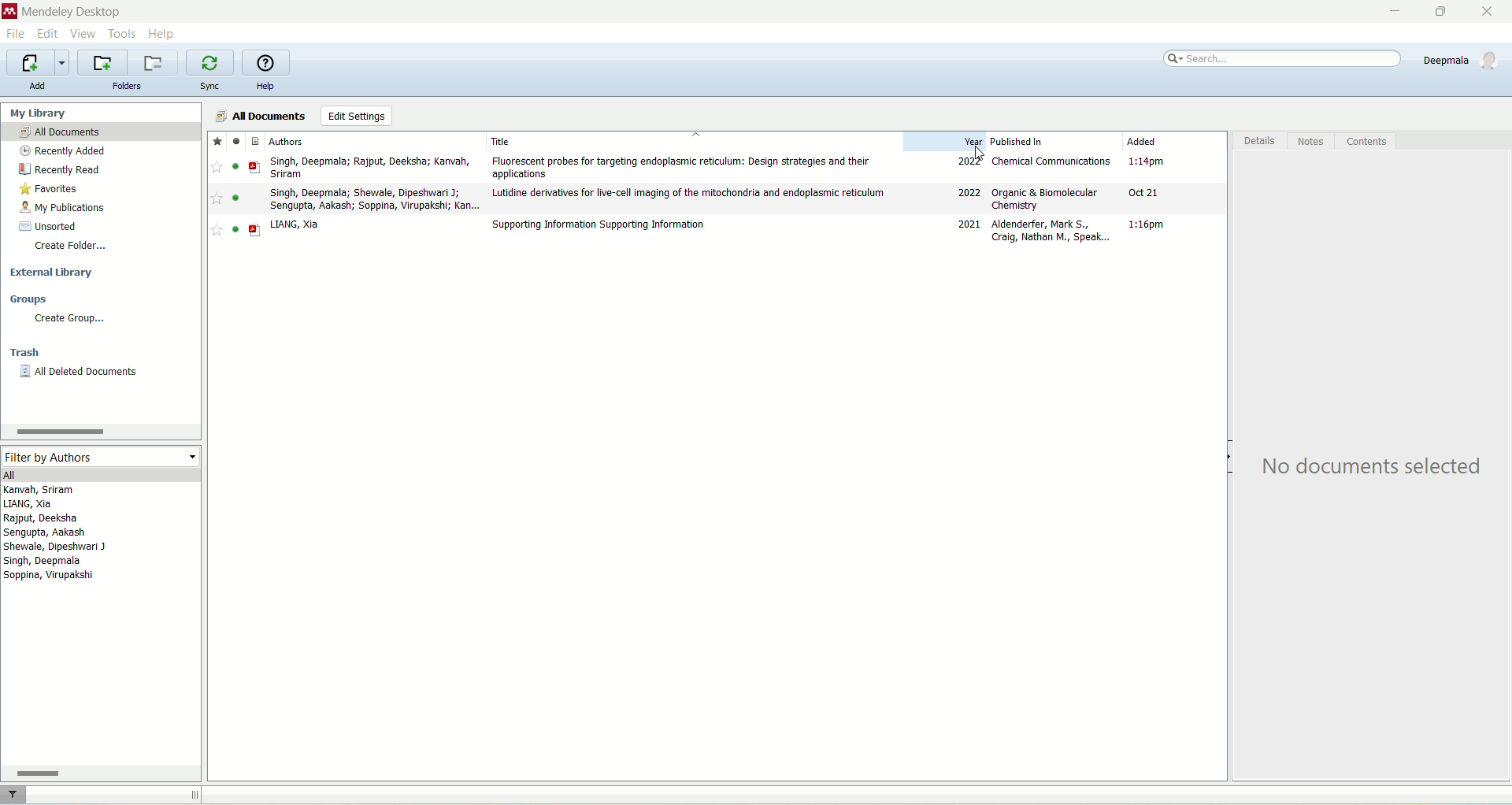 The image size is (1512, 805). What do you see at coordinates (1368, 469) in the screenshot?
I see `No documents selected` at bounding box center [1368, 469].